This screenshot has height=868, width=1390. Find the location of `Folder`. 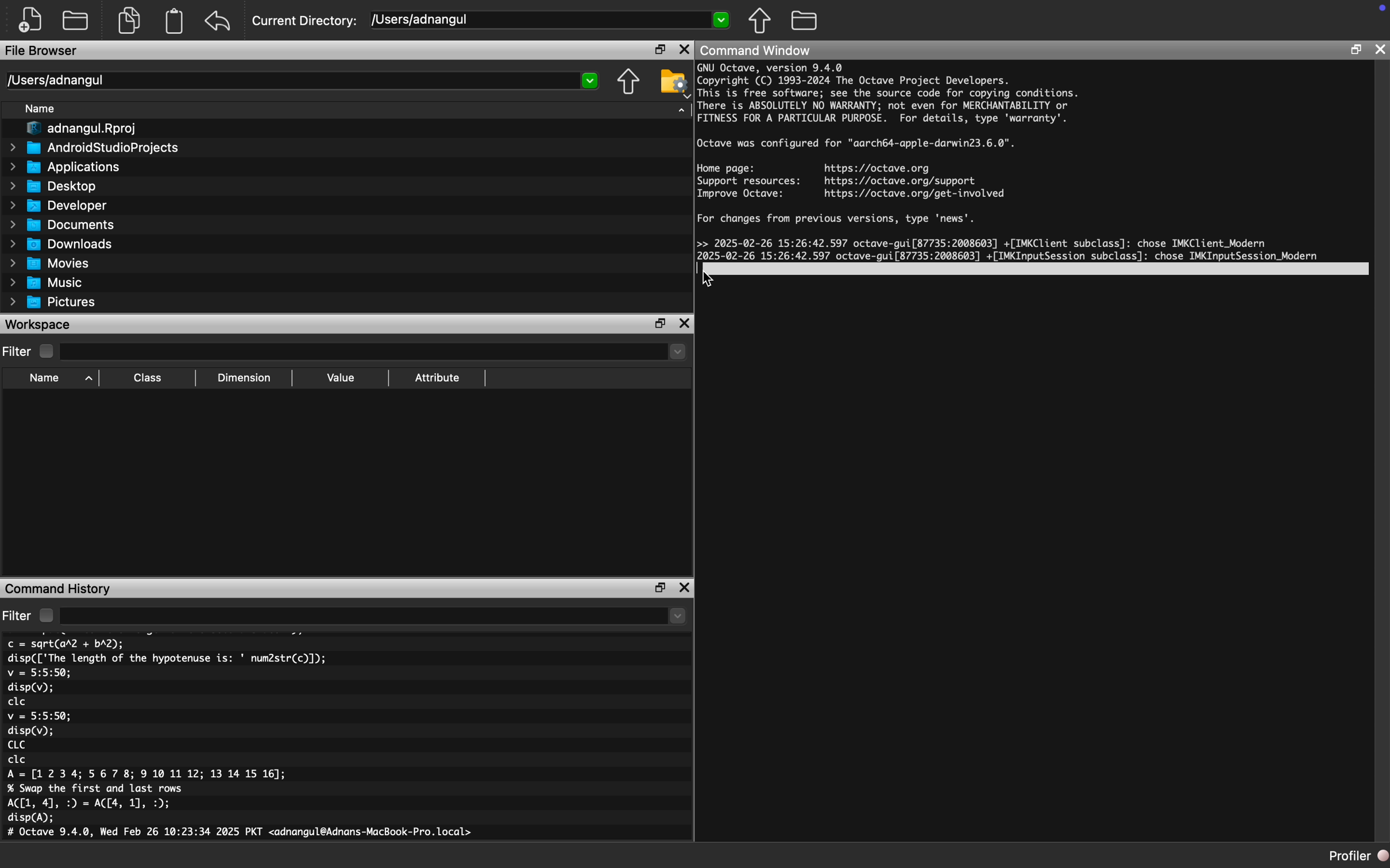

Folder is located at coordinates (76, 20).